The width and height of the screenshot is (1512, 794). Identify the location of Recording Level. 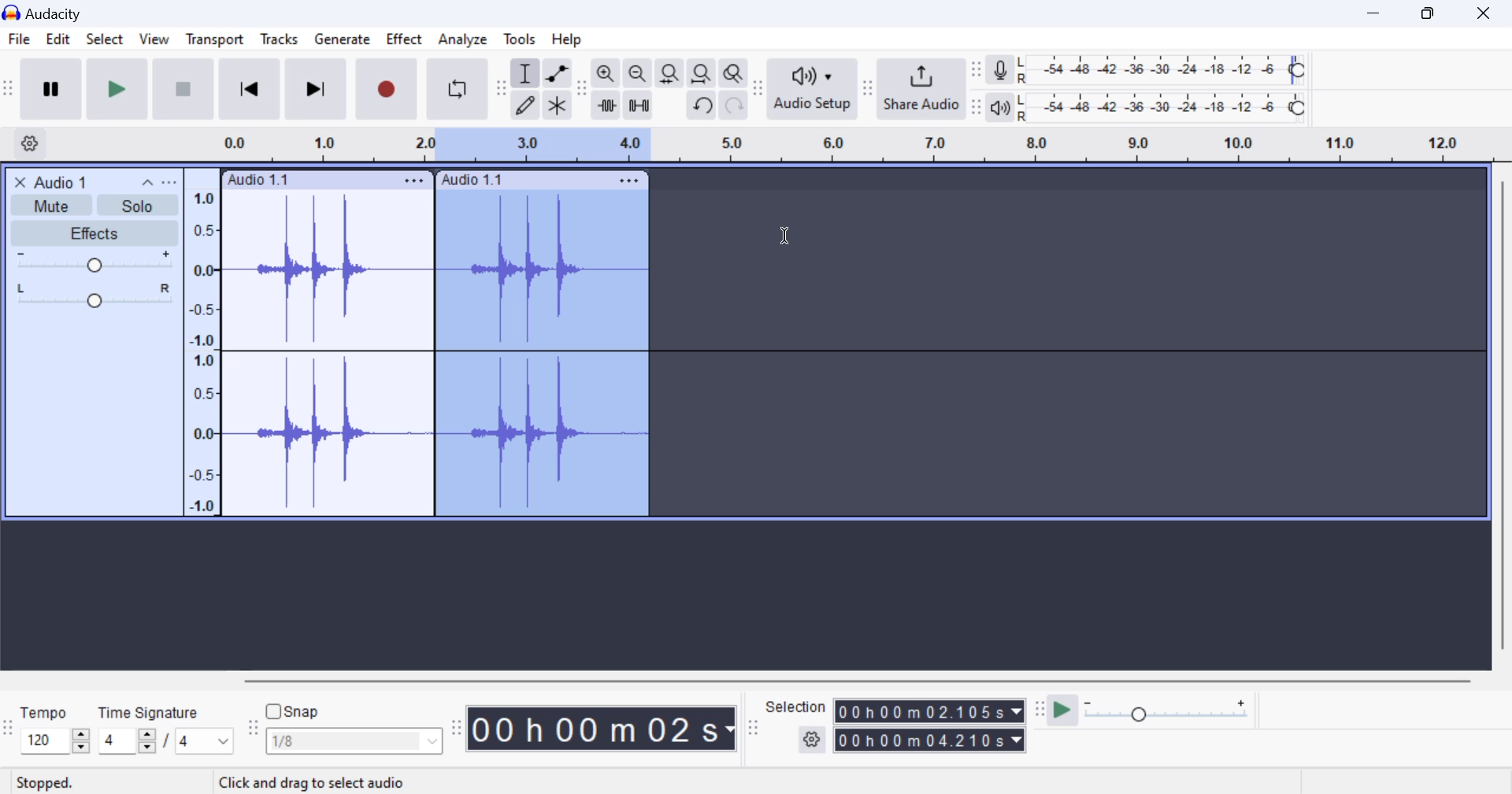
(1162, 70).